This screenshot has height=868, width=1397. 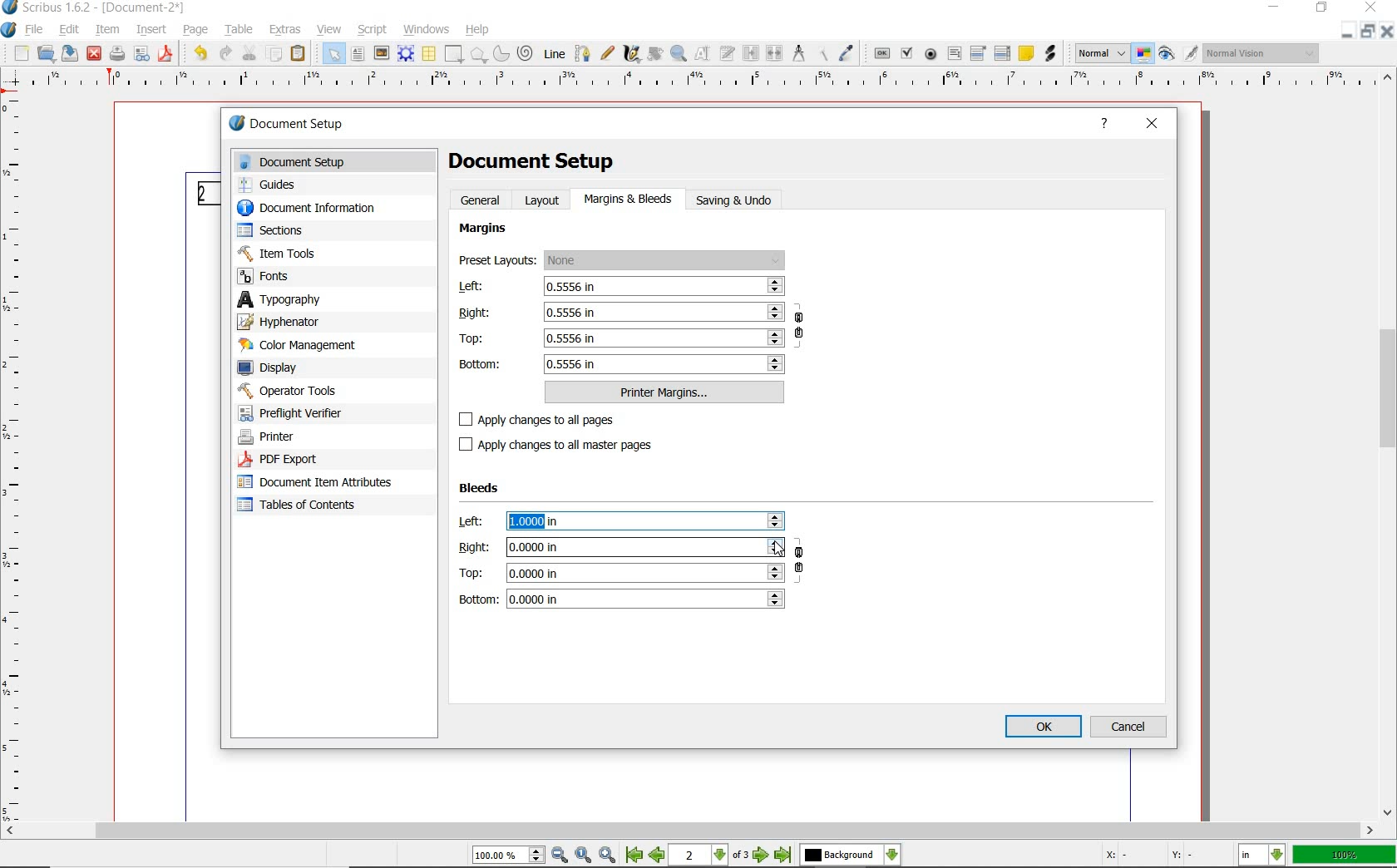 I want to click on Minimize, so click(x=1369, y=33).